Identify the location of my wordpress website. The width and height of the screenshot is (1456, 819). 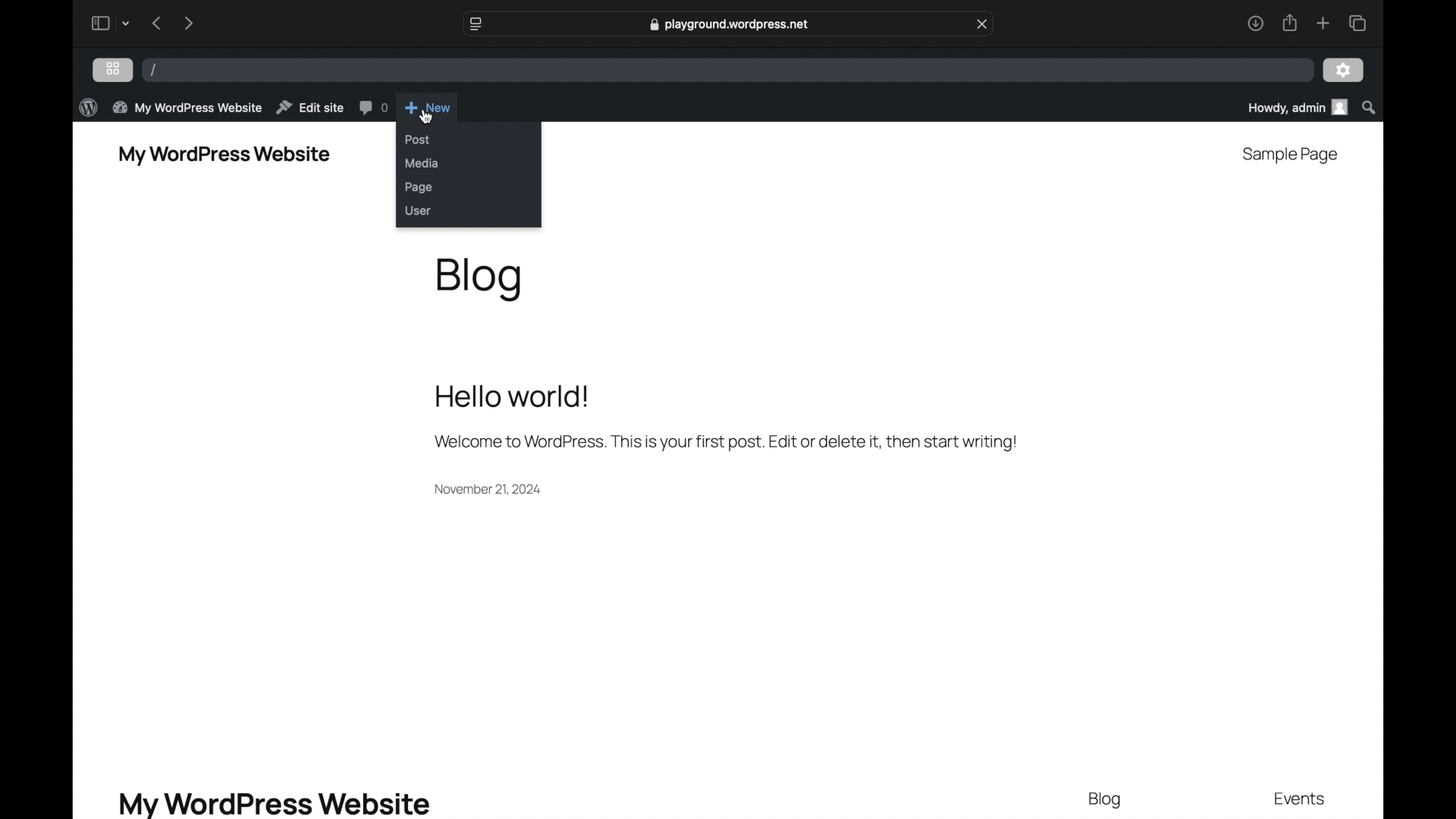
(275, 803).